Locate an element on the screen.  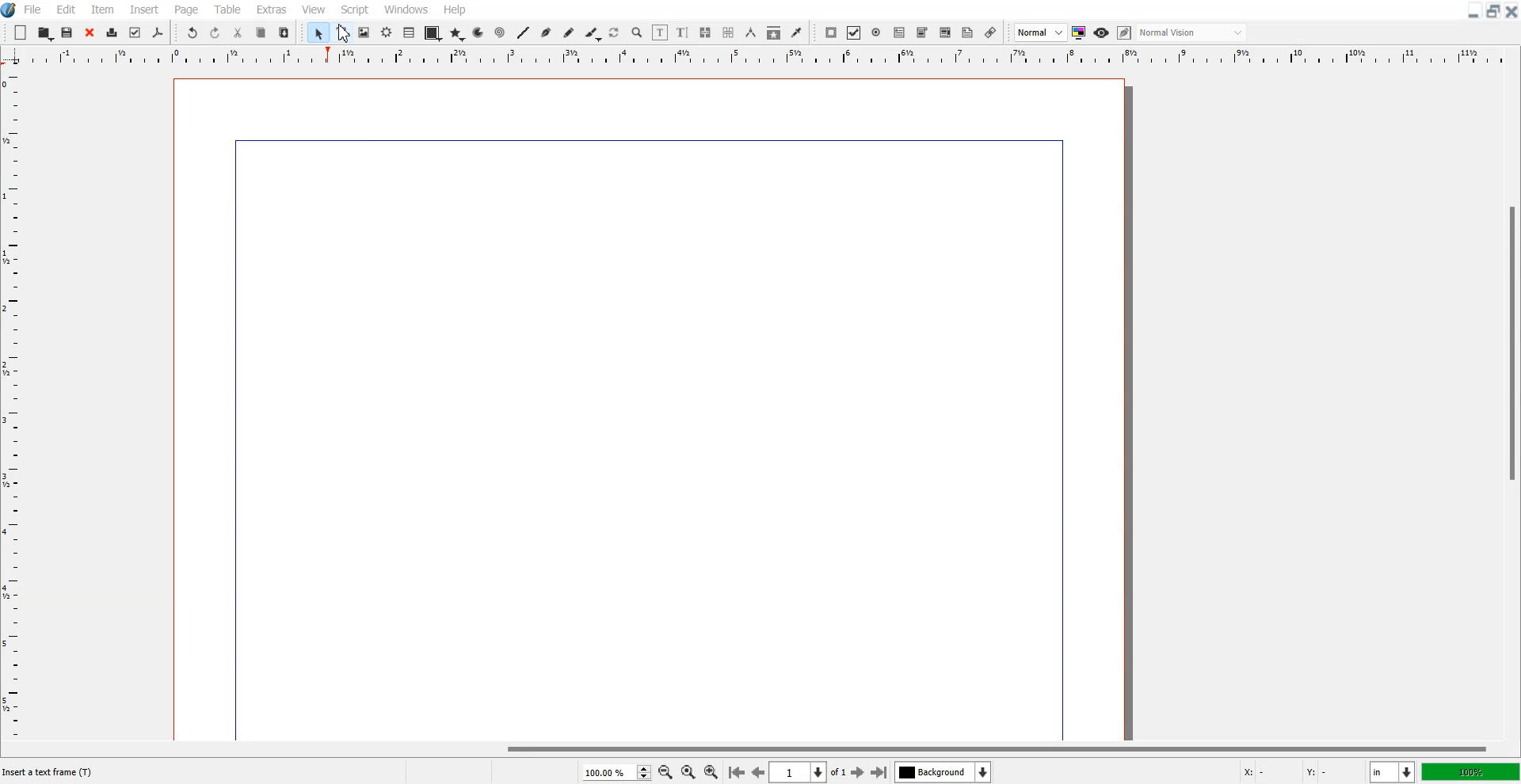
Preview mode is located at coordinates (1102, 32).